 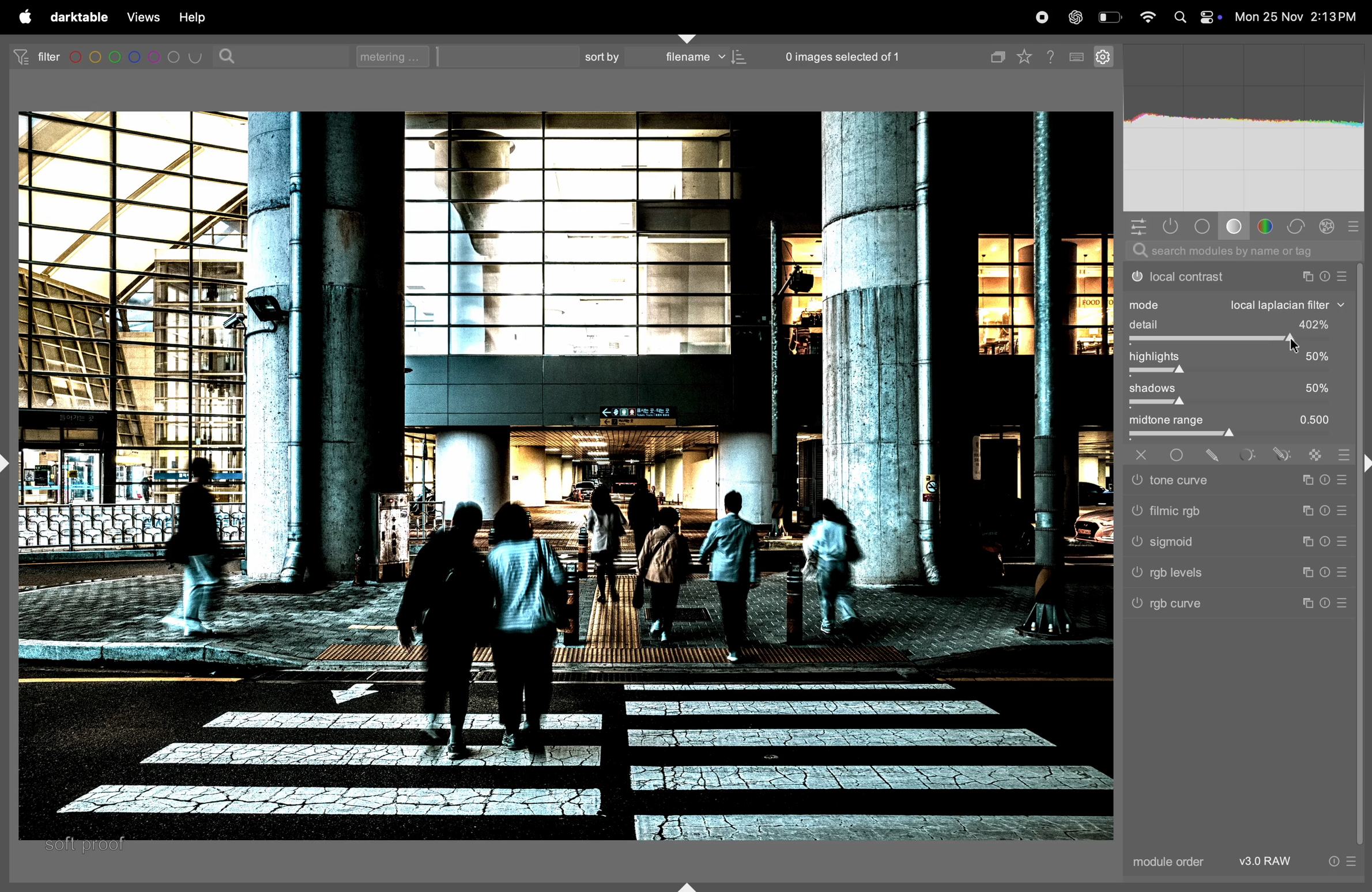 I want to click on highlights, so click(x=1237, y=357).